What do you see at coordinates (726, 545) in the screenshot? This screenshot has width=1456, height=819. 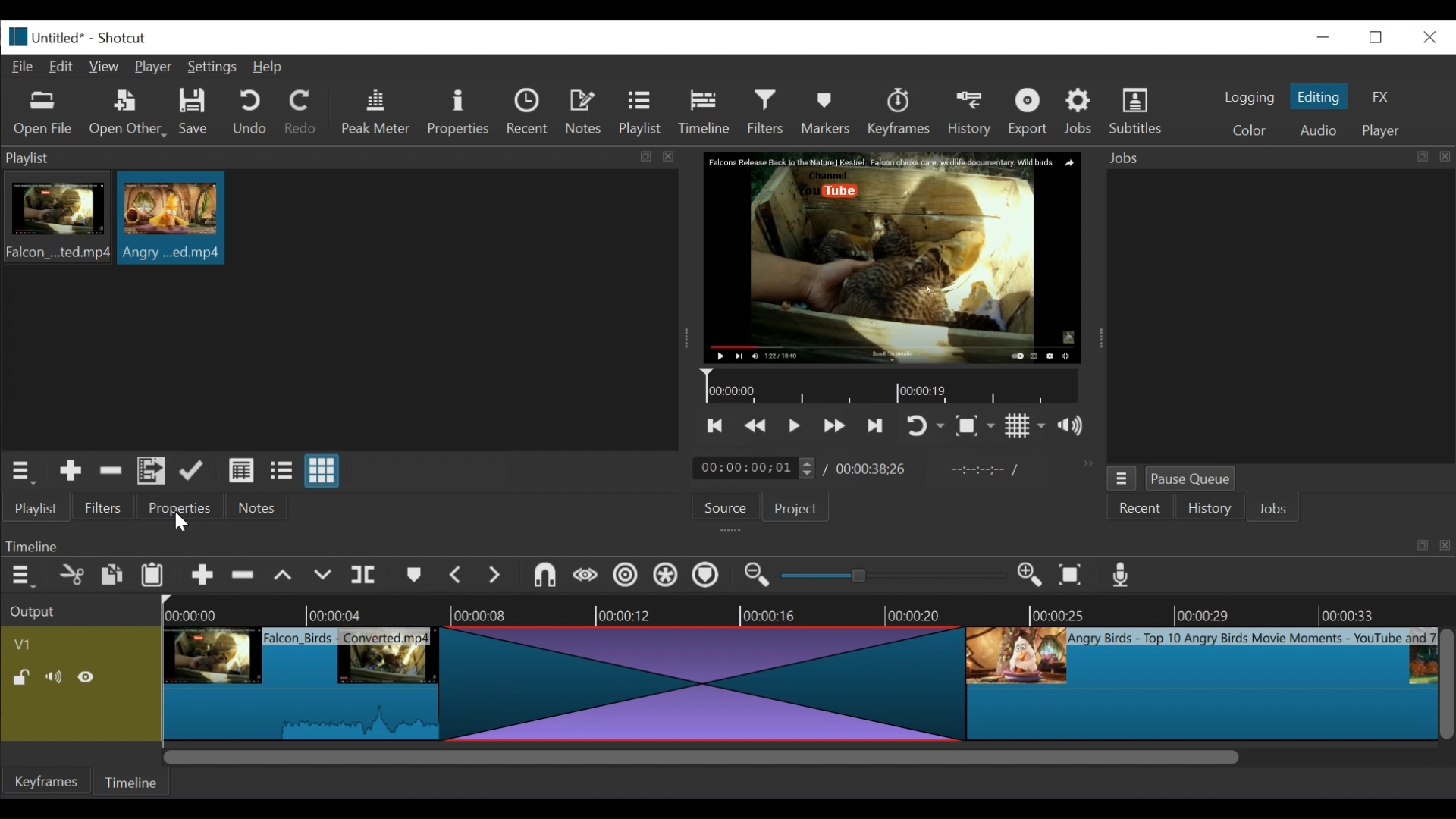 I see `Timeline Panel` at bounding box center [726, 545].